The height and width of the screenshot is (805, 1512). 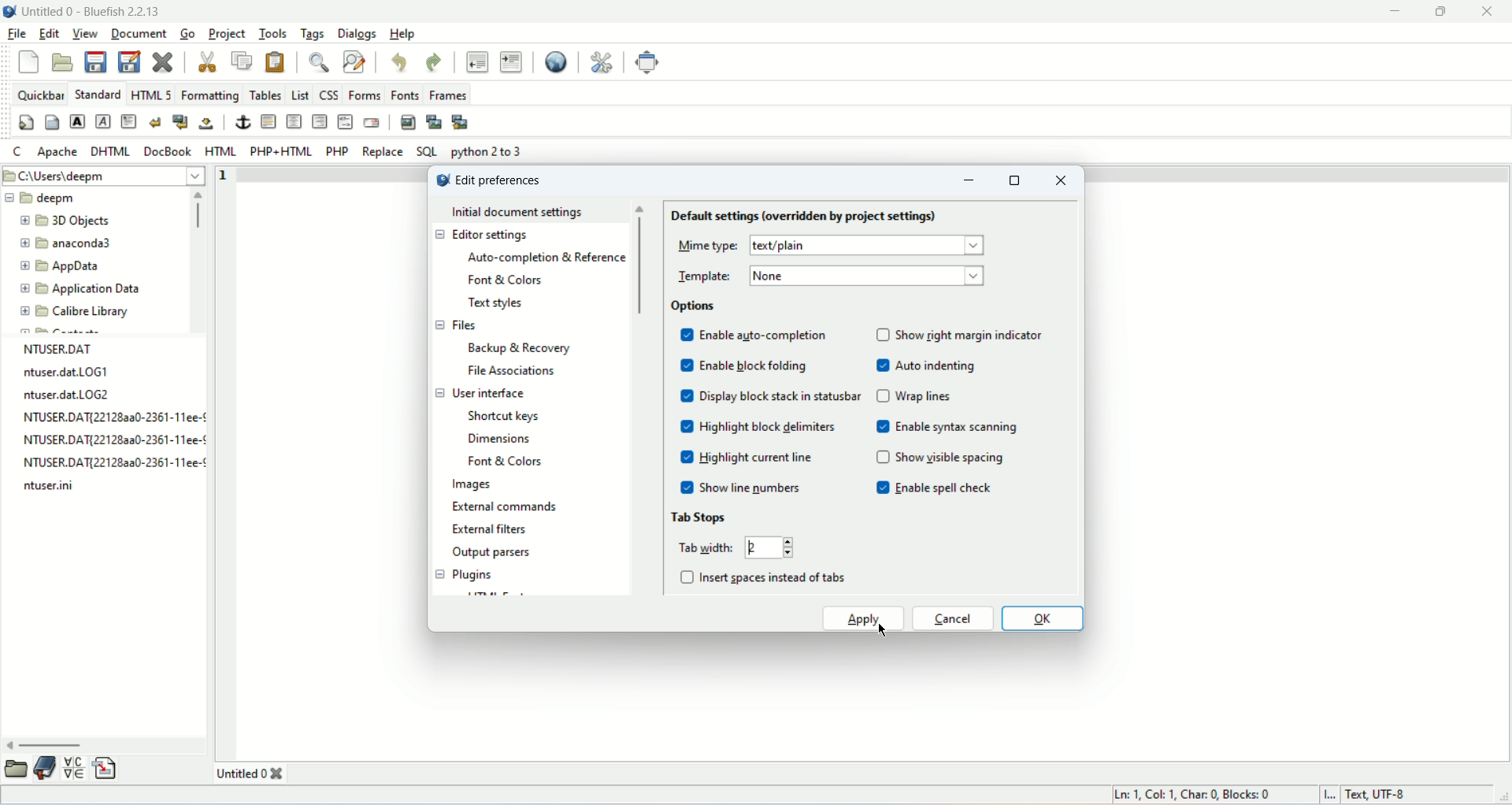 What do you see at coordinates (313, 33) in the screenshot?
I see `tags` at bounding box center [313, 33].